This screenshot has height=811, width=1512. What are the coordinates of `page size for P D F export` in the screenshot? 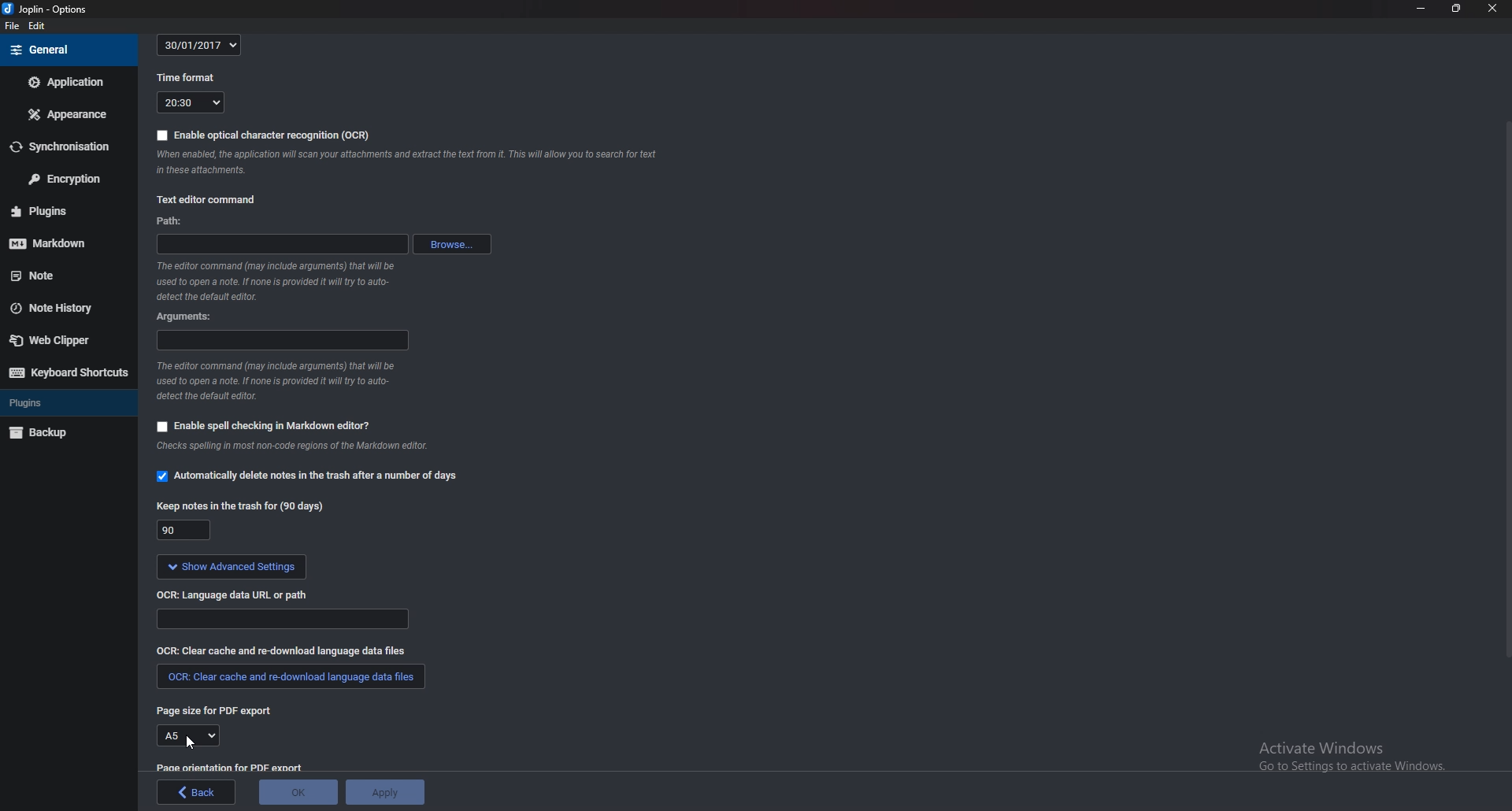 It's located at (220, 713).